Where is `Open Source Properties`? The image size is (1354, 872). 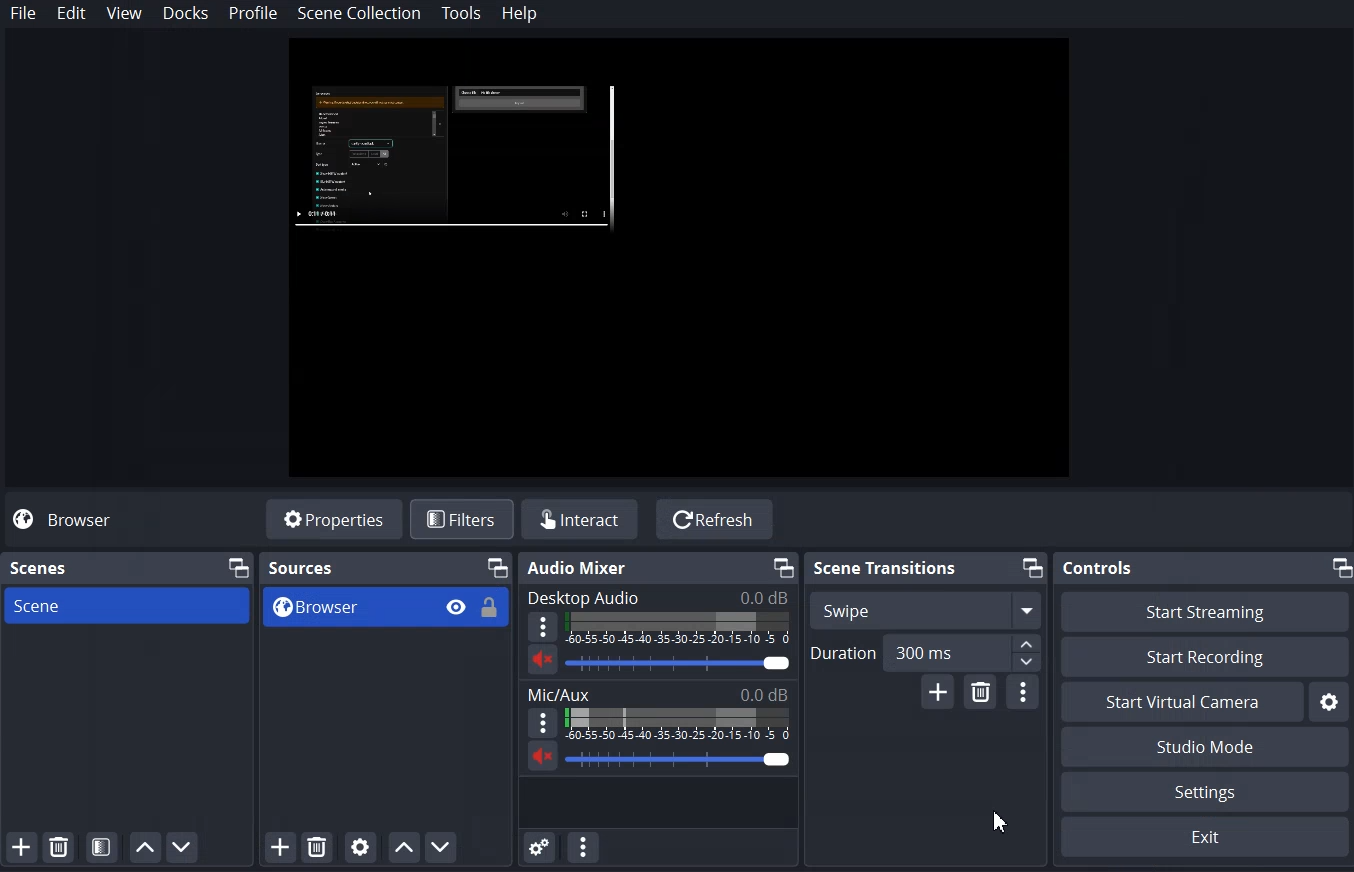
Open Source Properties is located at coordinates (360, 848).